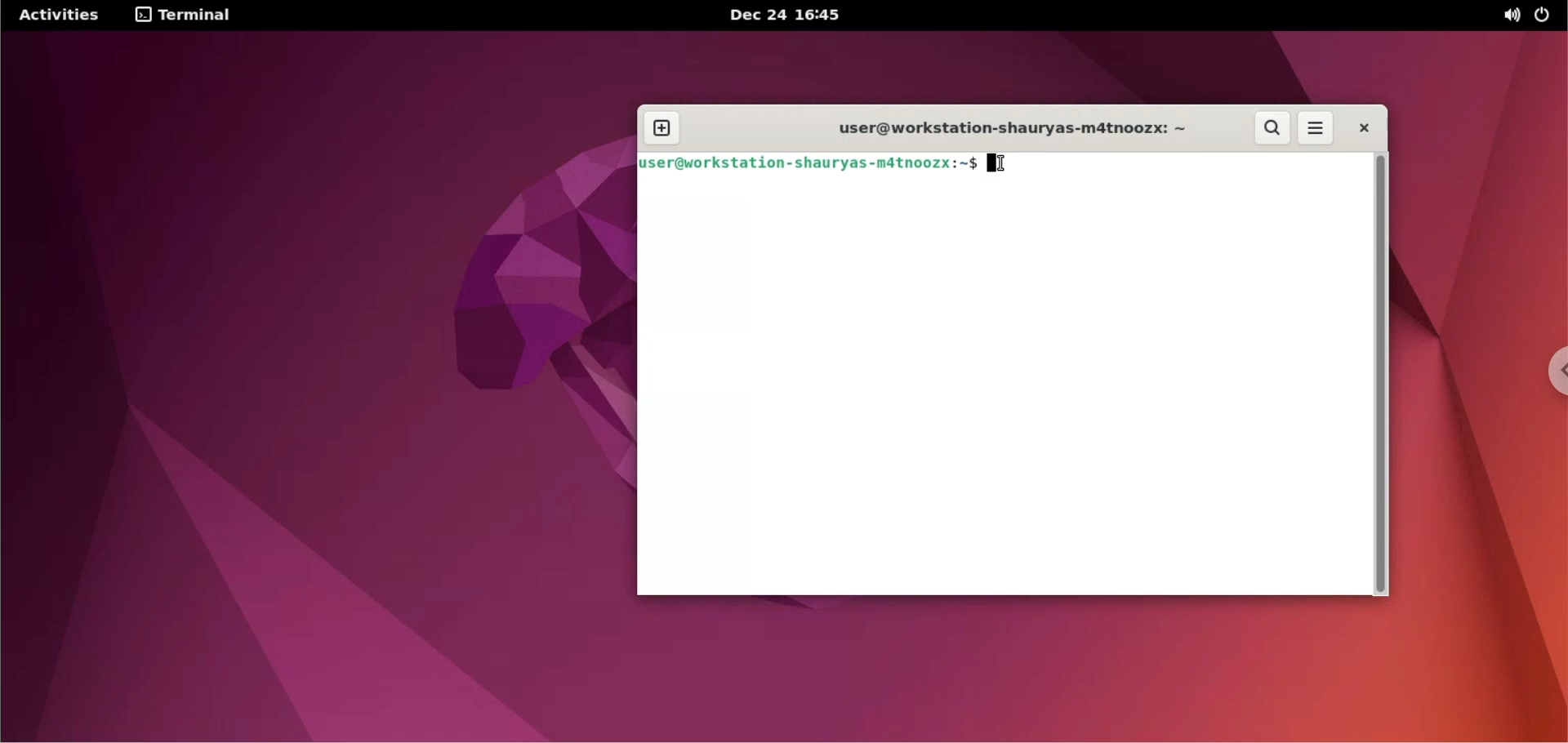 This screenshot has width=1568, height=743. I want to click on sound options, so click(1508, 16).